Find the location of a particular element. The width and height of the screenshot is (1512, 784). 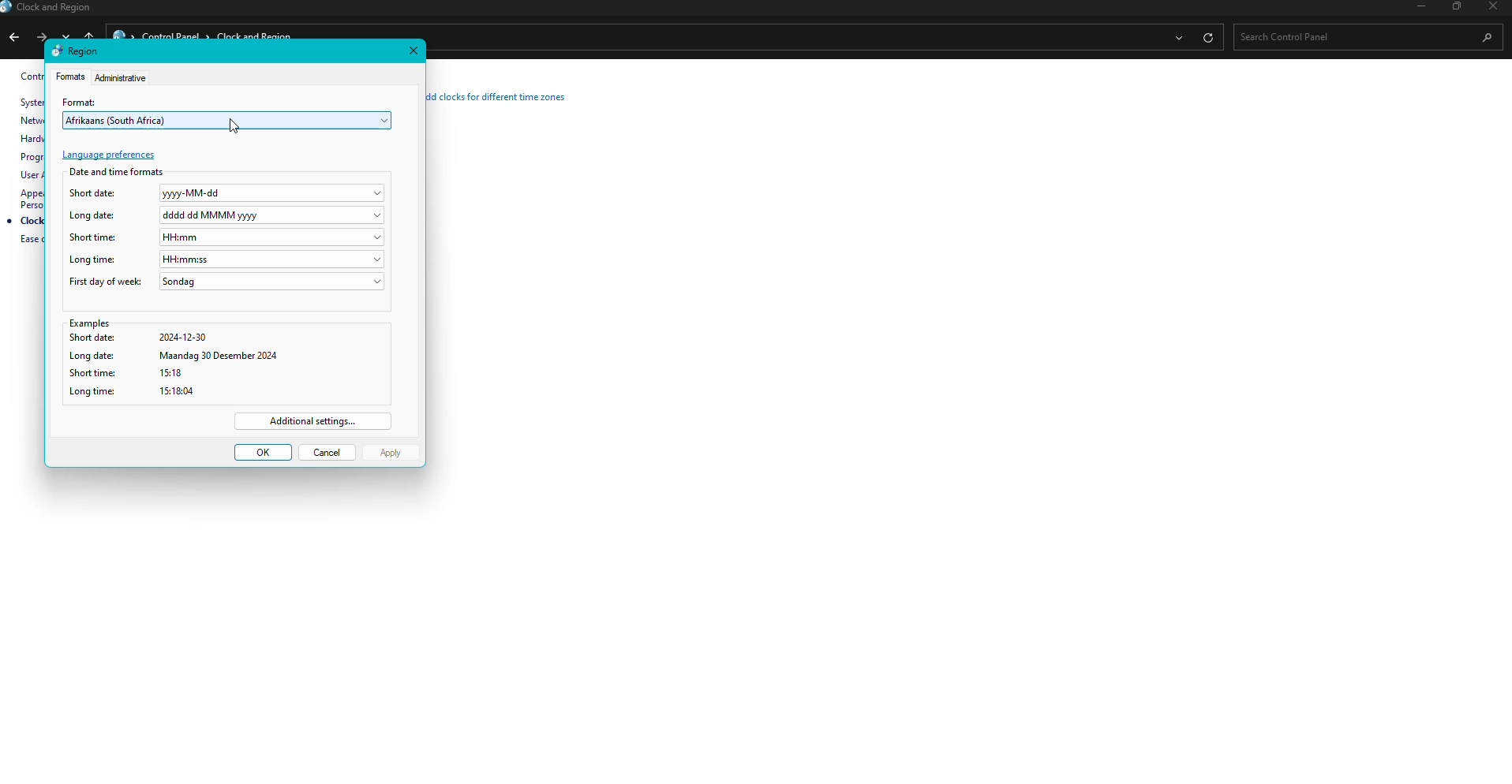

Cancel is located at coordinates (328, 452).